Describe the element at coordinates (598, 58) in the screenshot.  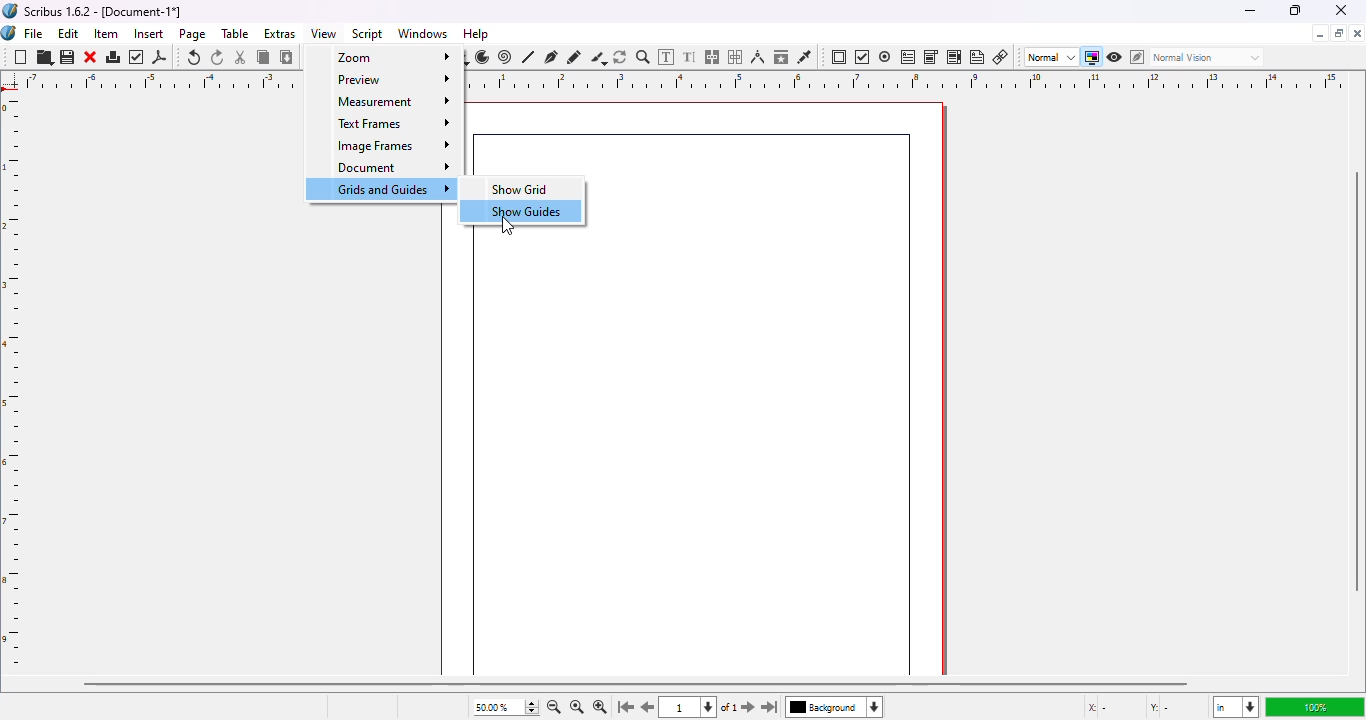
I see `calligraphic line` at that location.